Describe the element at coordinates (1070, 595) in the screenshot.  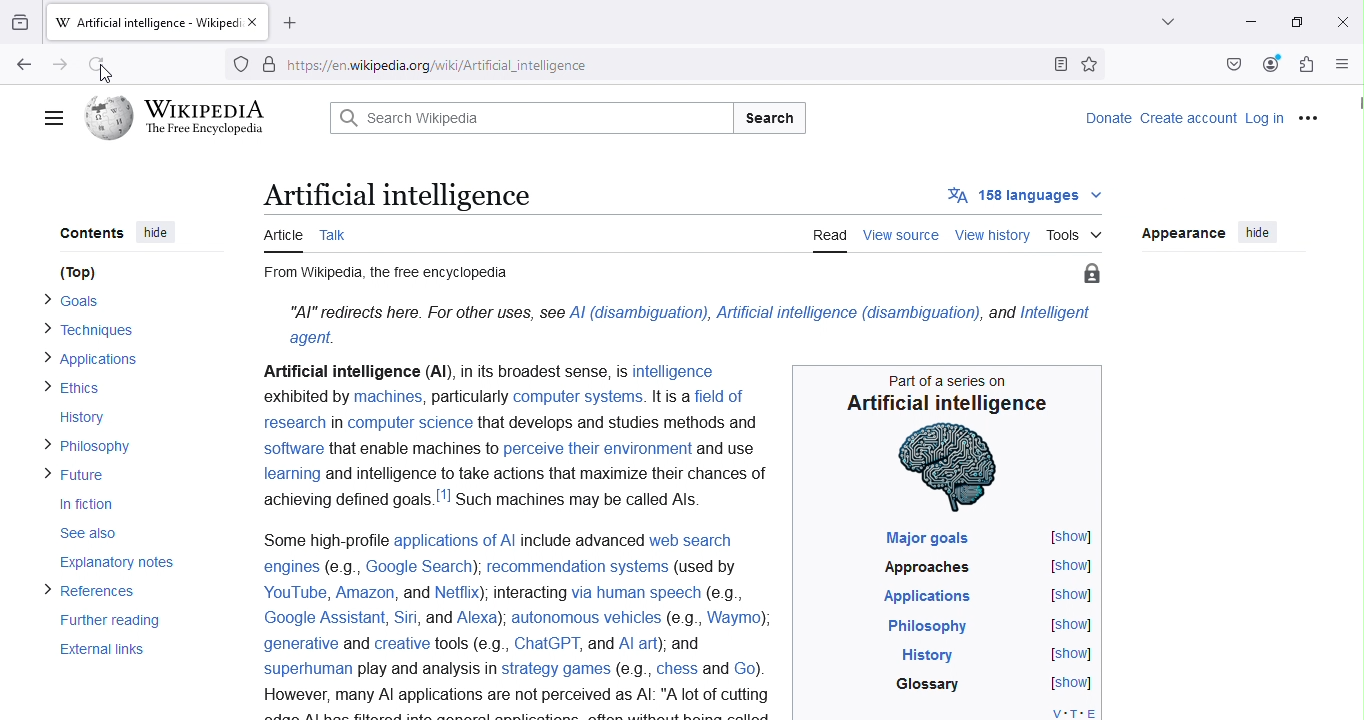
I see `[show]` at that location.